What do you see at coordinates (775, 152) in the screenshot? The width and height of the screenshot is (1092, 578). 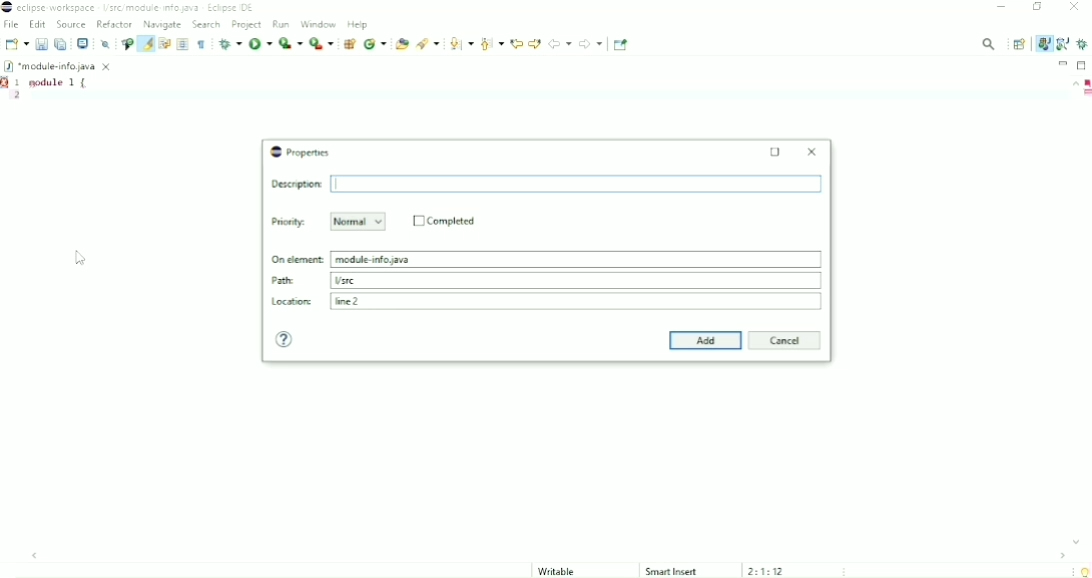 I see `Maximize` at bounding box center [775, 152].